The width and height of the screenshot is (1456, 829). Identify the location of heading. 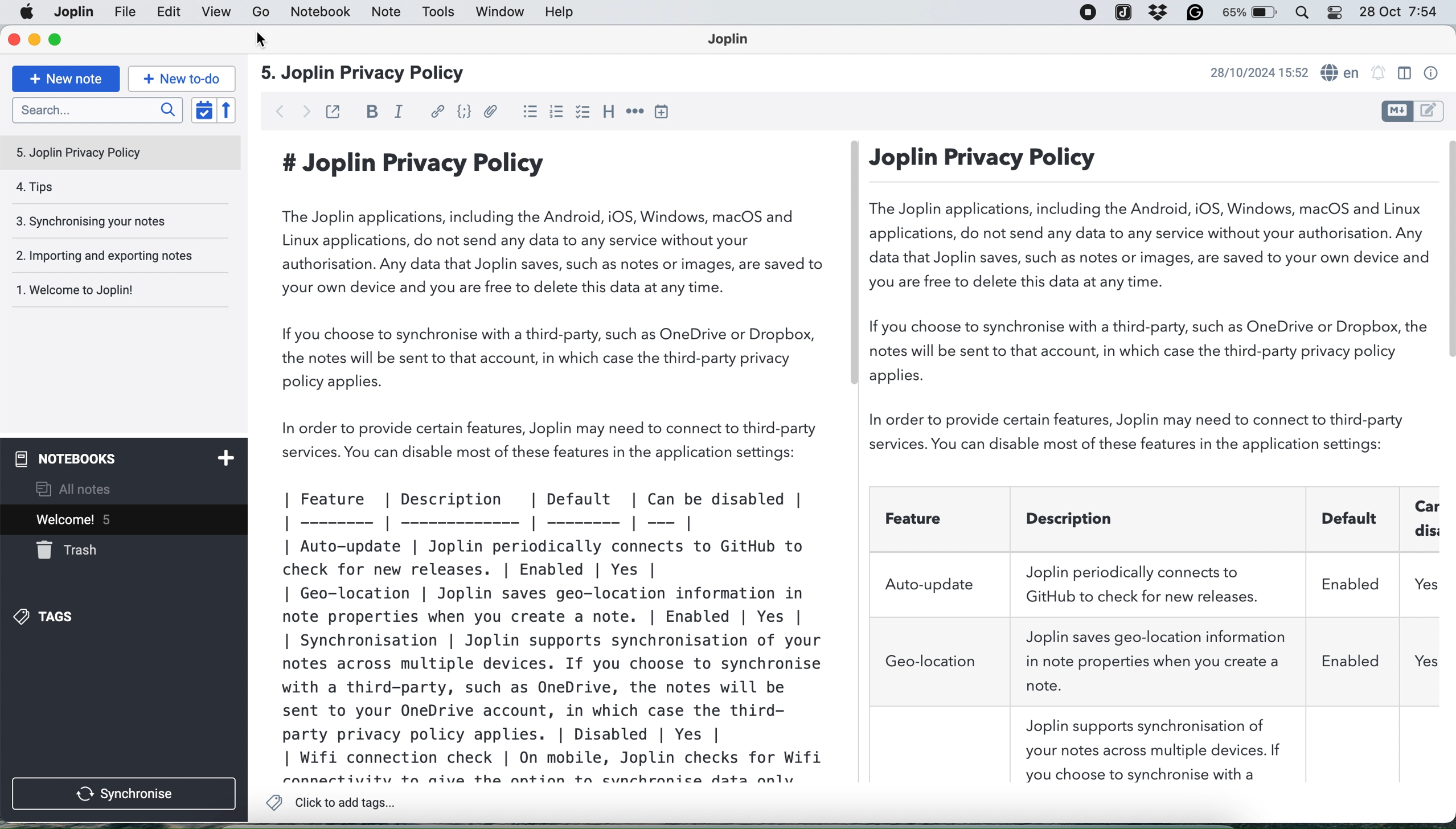
(609, 112).